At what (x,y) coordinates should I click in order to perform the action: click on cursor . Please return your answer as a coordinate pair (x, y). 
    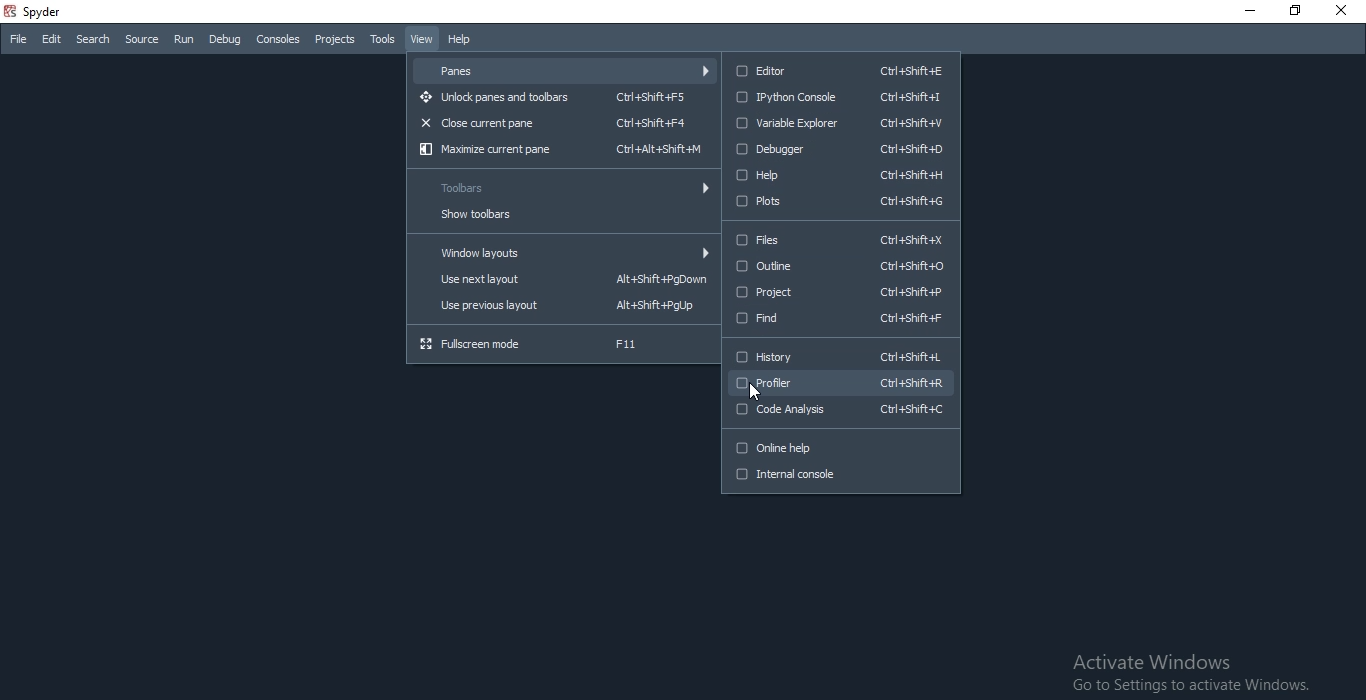
    Looking at the image, I should click on (757, 394).